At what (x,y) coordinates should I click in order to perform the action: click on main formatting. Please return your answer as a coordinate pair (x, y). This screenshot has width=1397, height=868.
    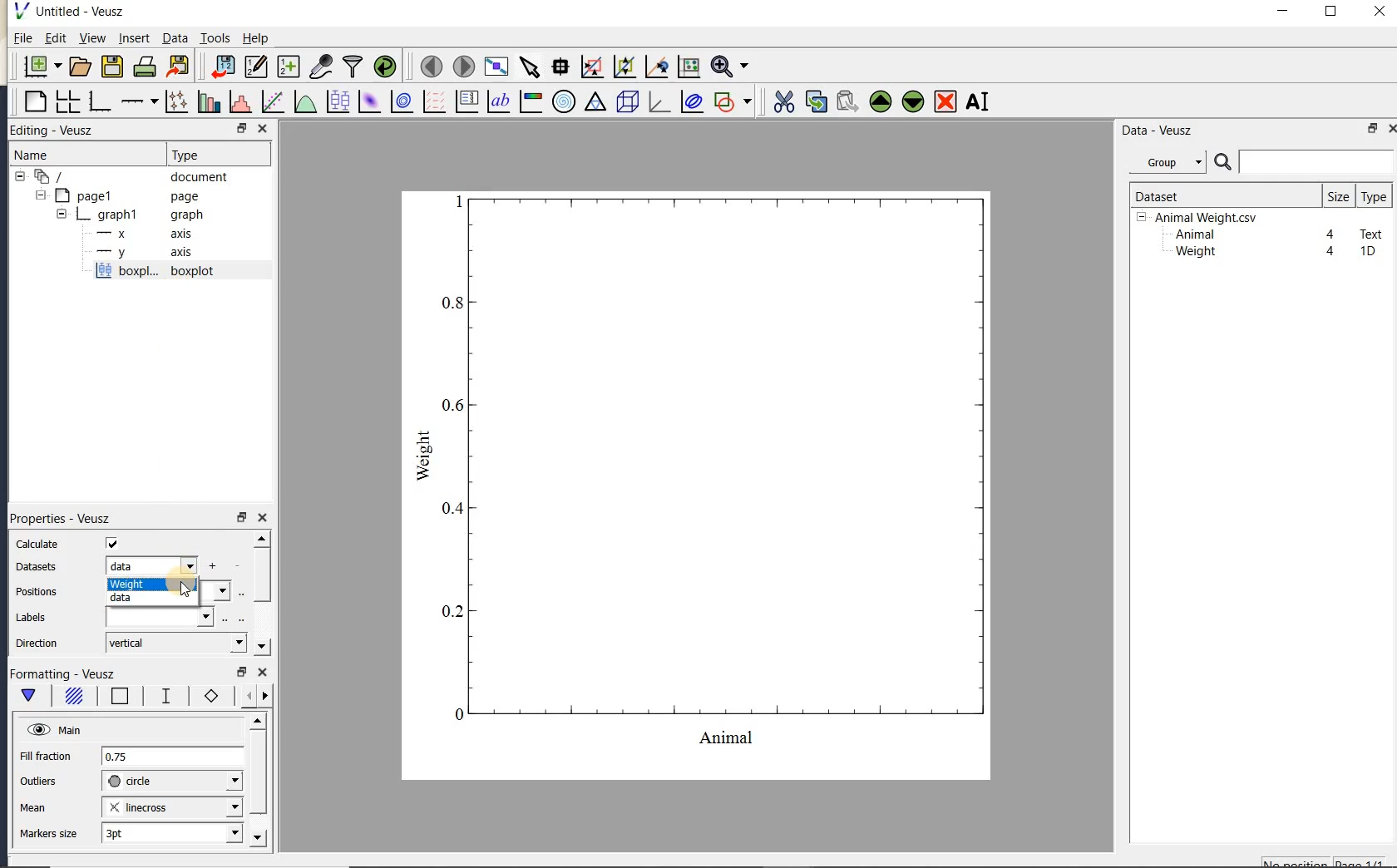
    Looking at the image, I should click on (28, 698).